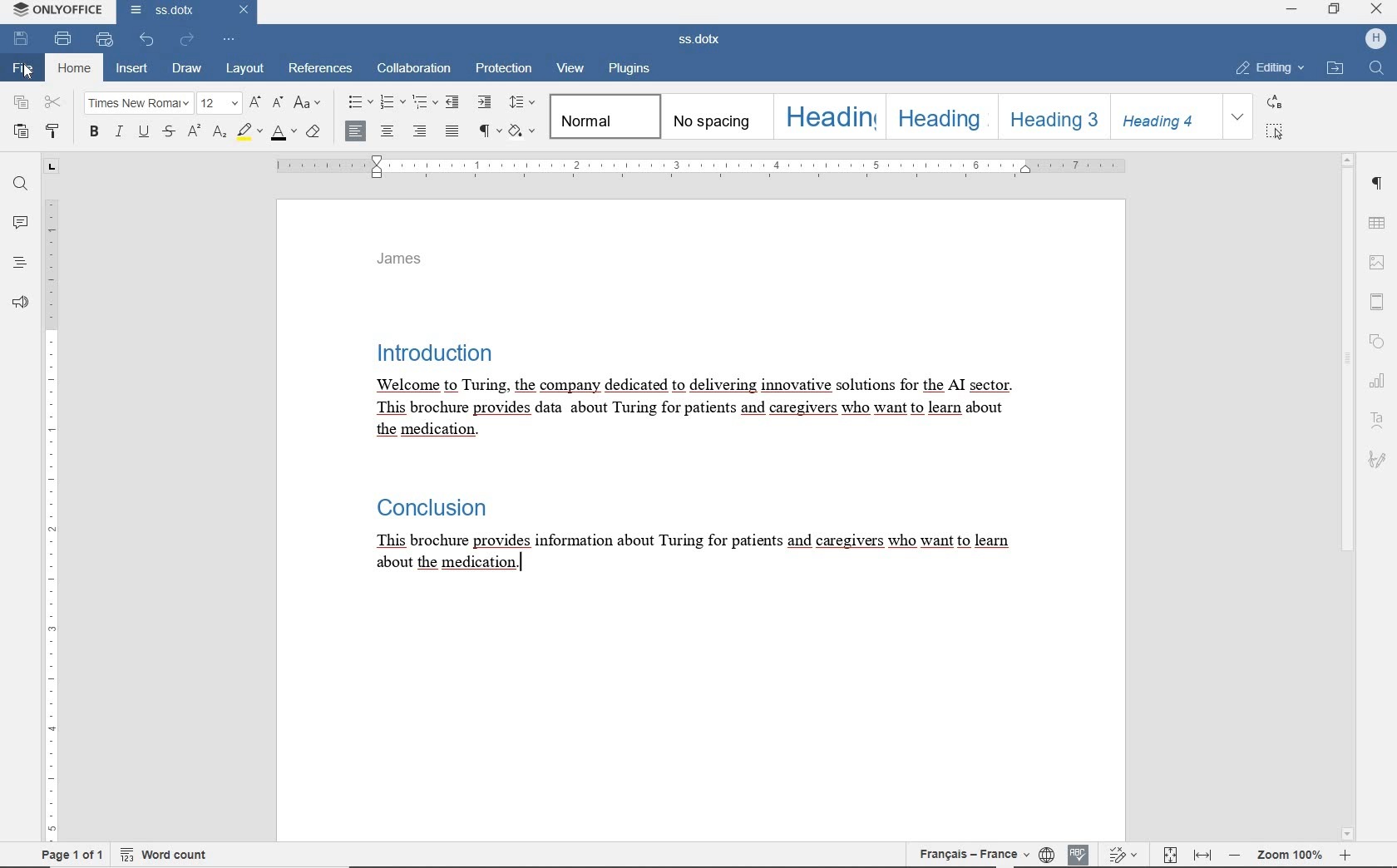 This screenshot has width=1397, height=868. I want to click on DOCUMENT NAME, so click(166, 11).